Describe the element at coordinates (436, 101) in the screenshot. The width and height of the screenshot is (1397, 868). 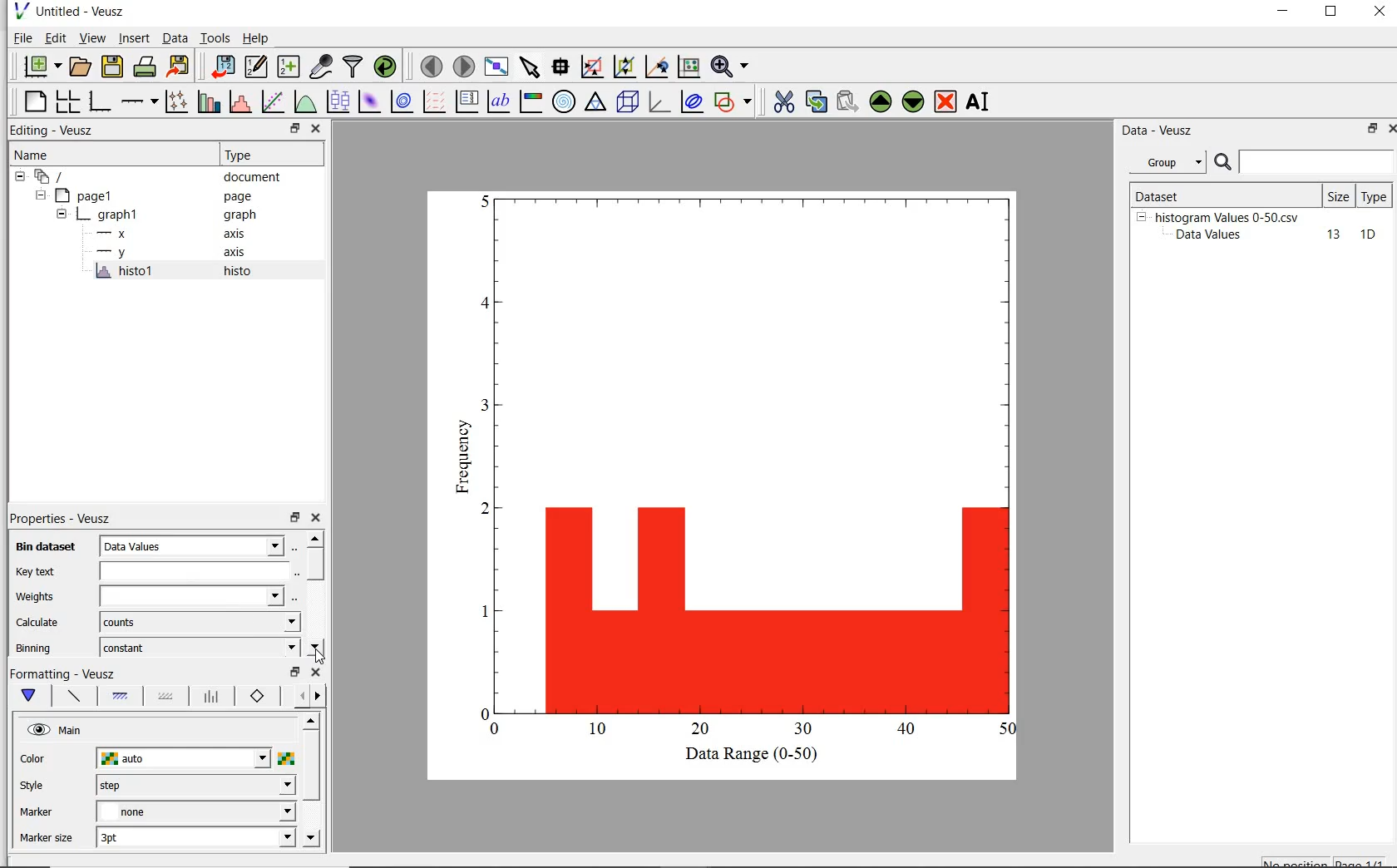
I see `plot a vector field` at that location.